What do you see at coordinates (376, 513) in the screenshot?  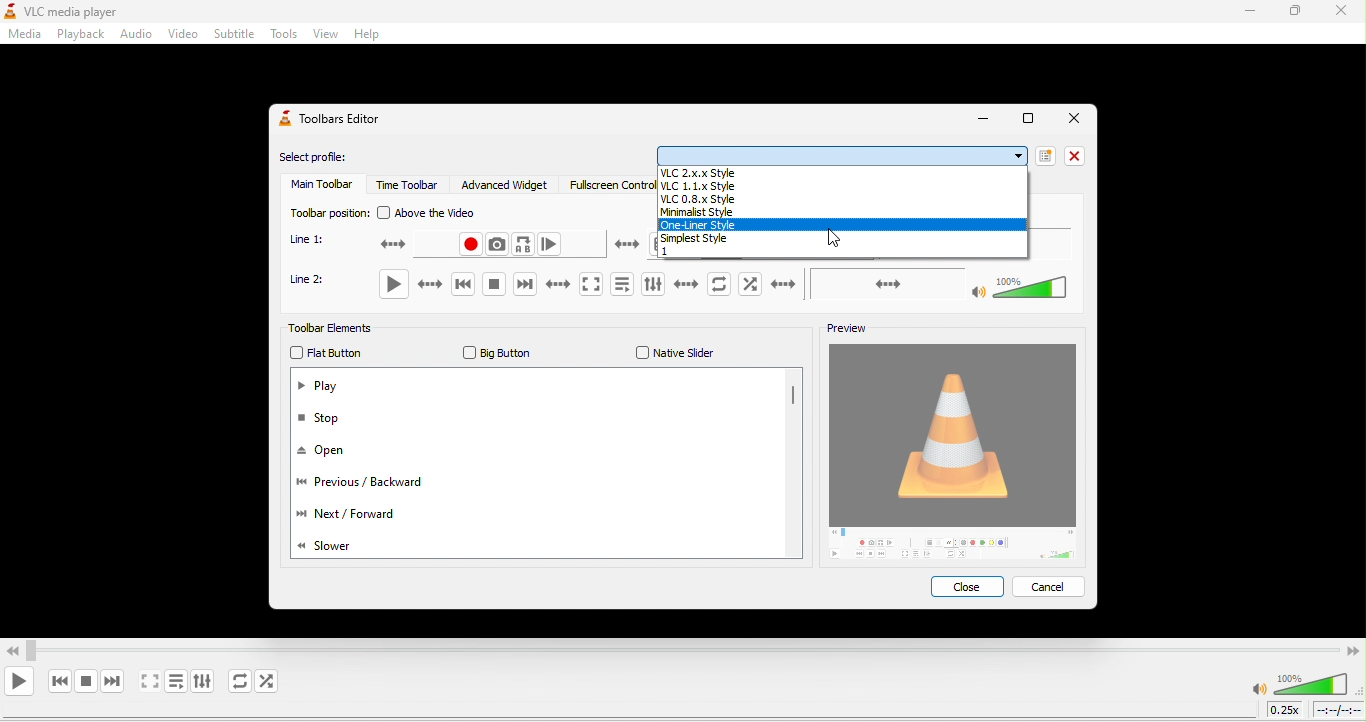 I see `next/forward` at bounding box center [376, 513].